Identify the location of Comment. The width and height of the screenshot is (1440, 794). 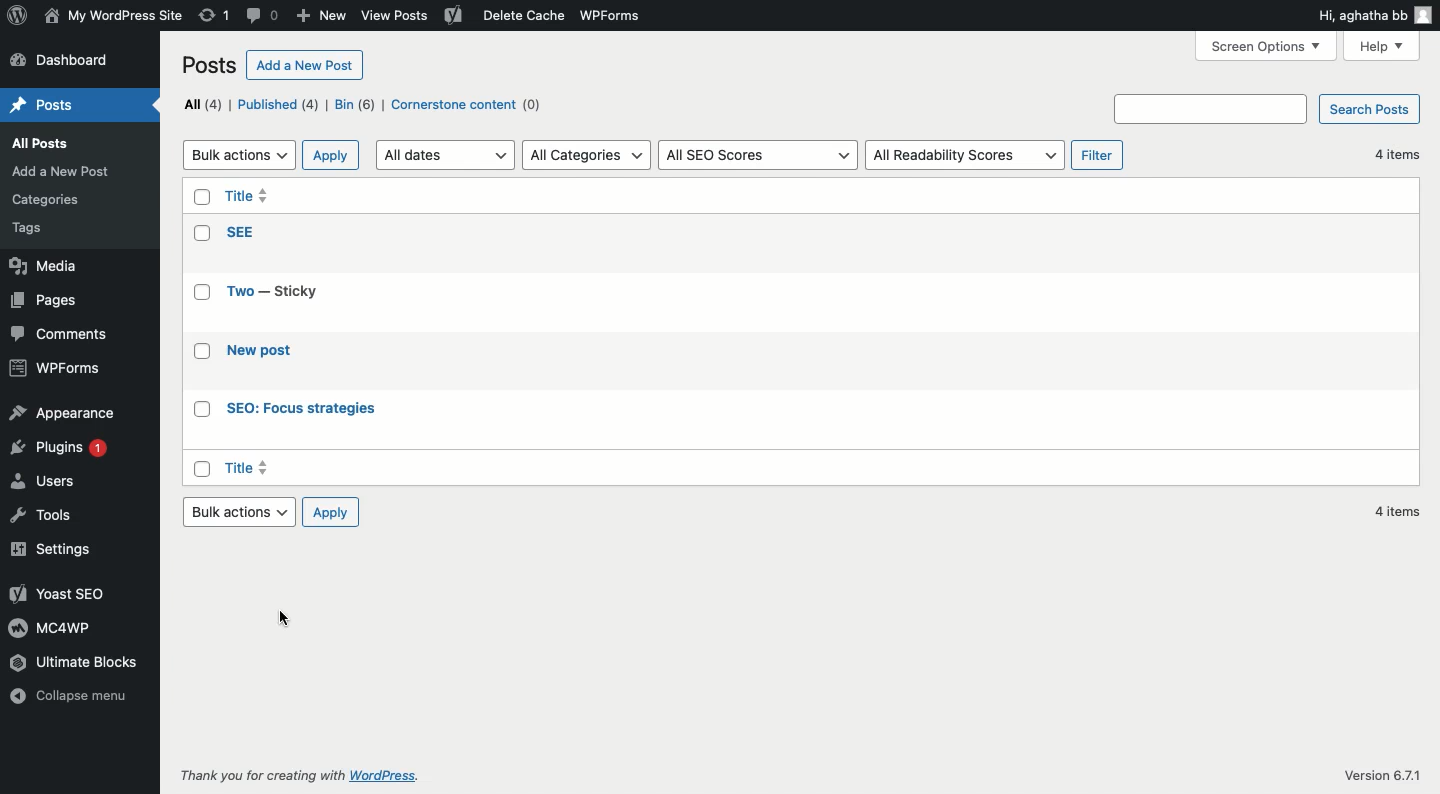
(264, 14).